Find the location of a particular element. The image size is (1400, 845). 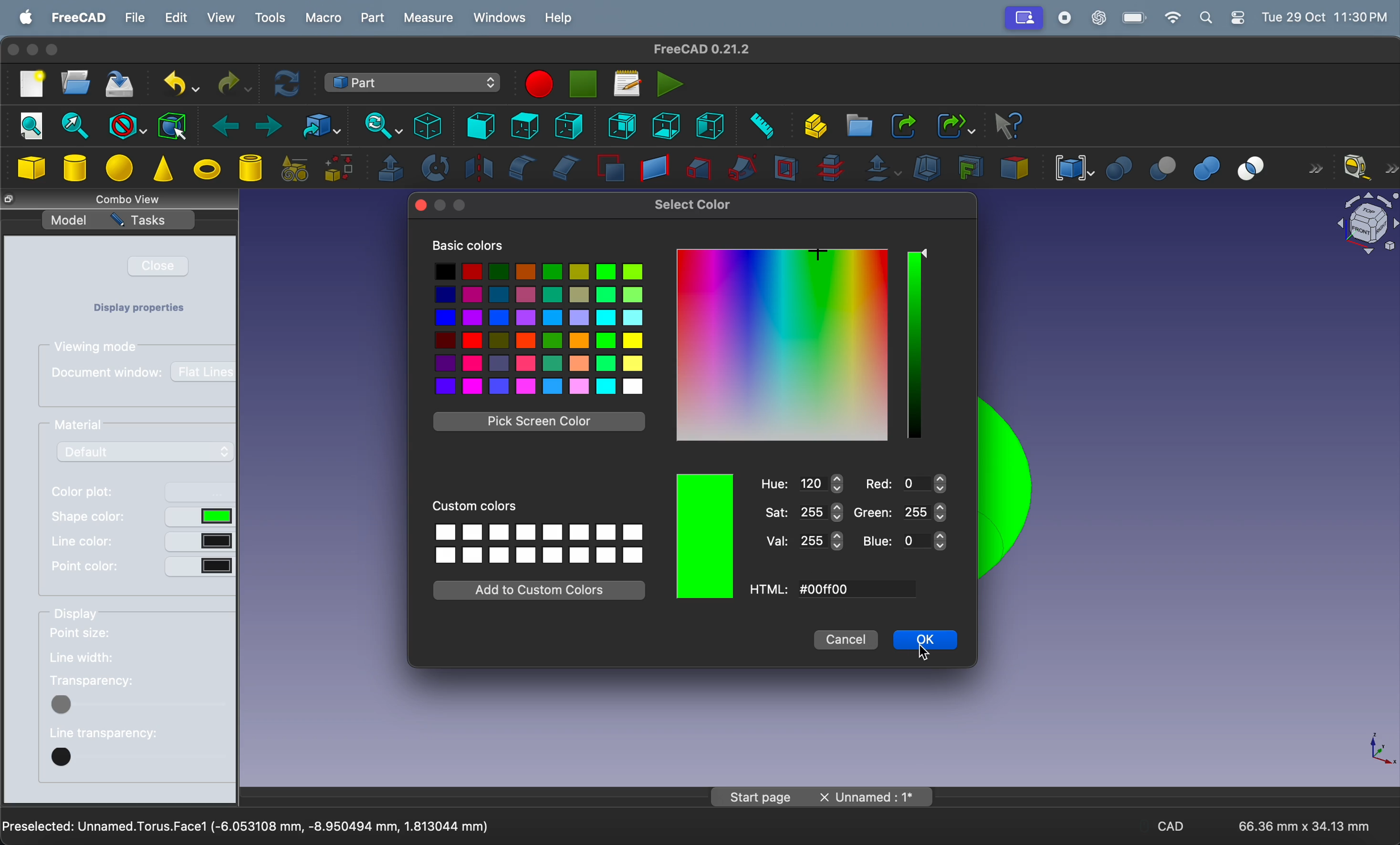

create ruled surface is located at coordinates (655, 168).